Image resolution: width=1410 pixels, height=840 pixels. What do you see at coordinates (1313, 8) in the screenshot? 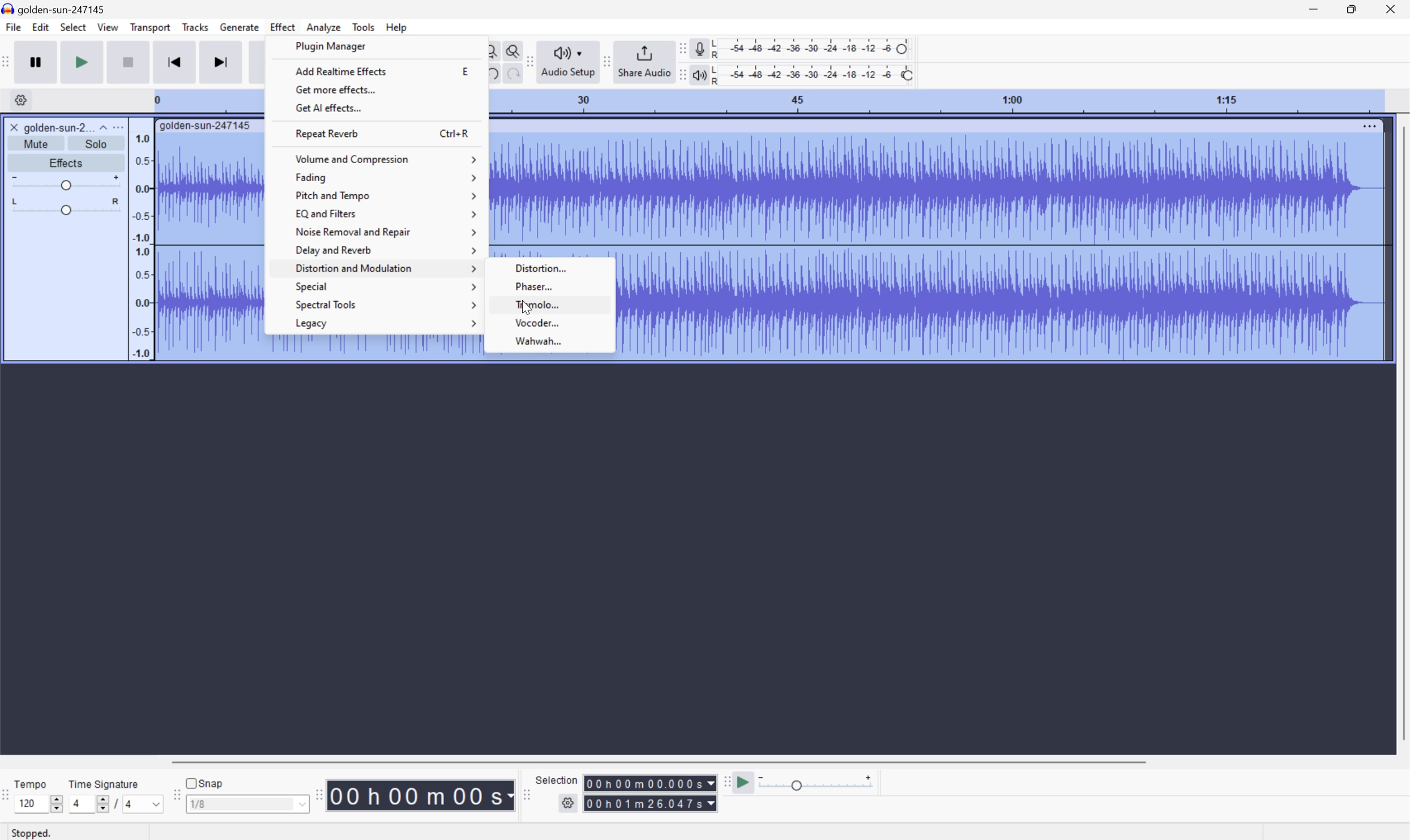
I see `Minimize` at bounding box center [1313, 8].